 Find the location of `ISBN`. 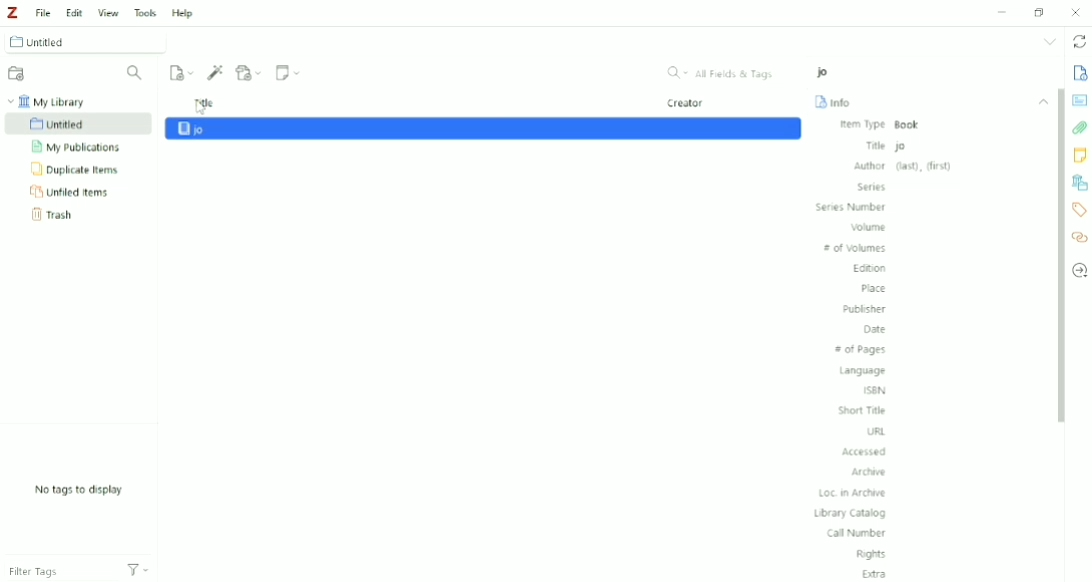

ISBN is located at coordinates (877, 390).